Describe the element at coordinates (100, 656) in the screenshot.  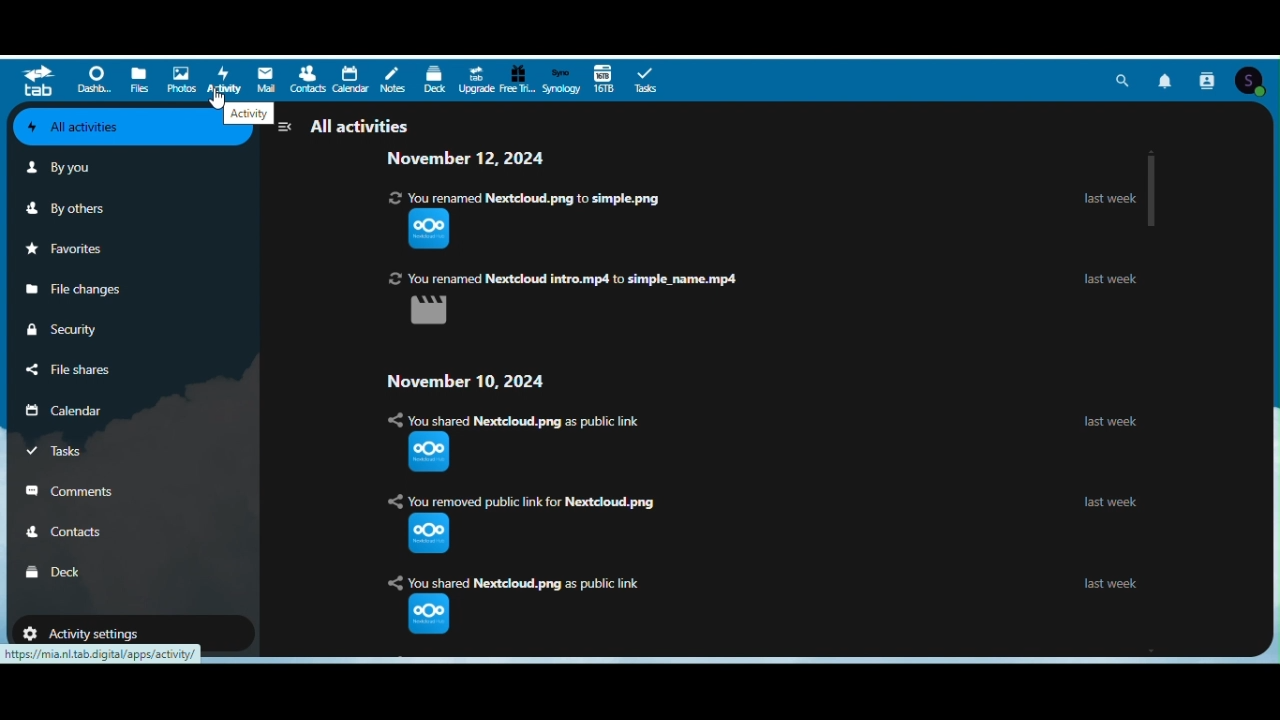
I see `https://mia.nl.tab.digital/apps/activity/` at that location.